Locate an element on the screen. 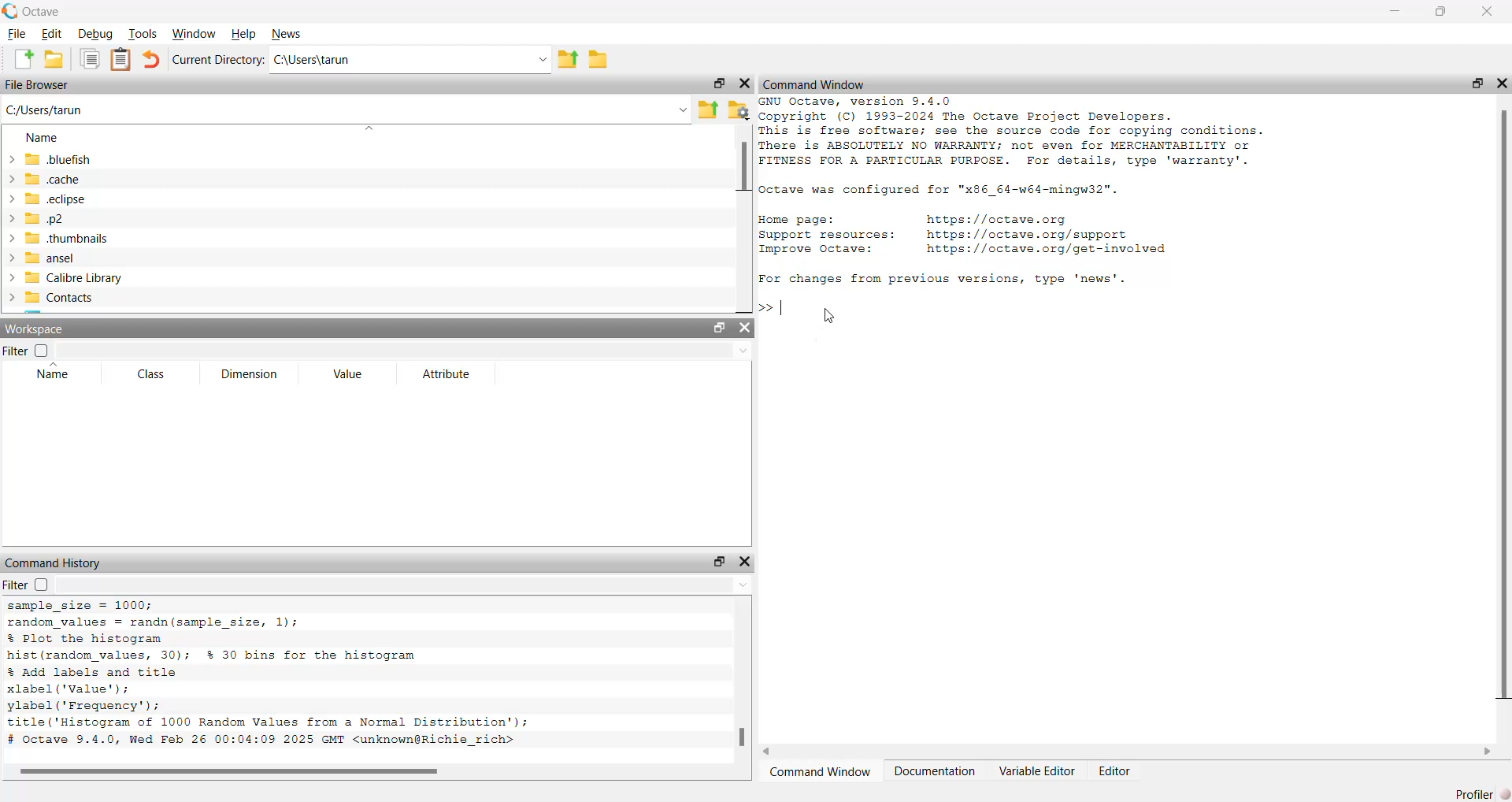 The width and height of the screenshot is (1512, 802). .bluefish is located at coordinates (48, 159).